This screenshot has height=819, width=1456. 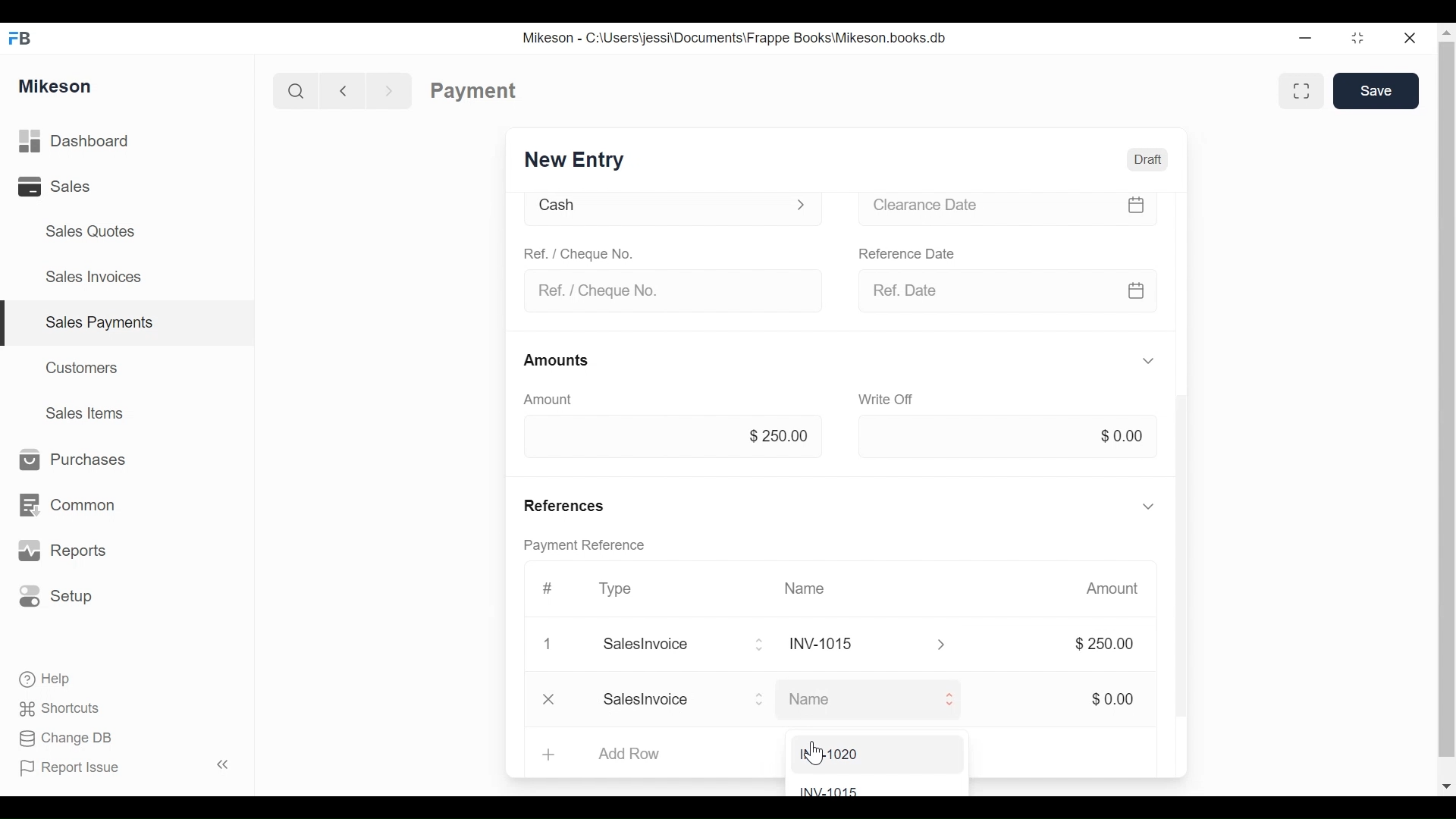 I want to click on Maximize, so click(x=1359, y=40).